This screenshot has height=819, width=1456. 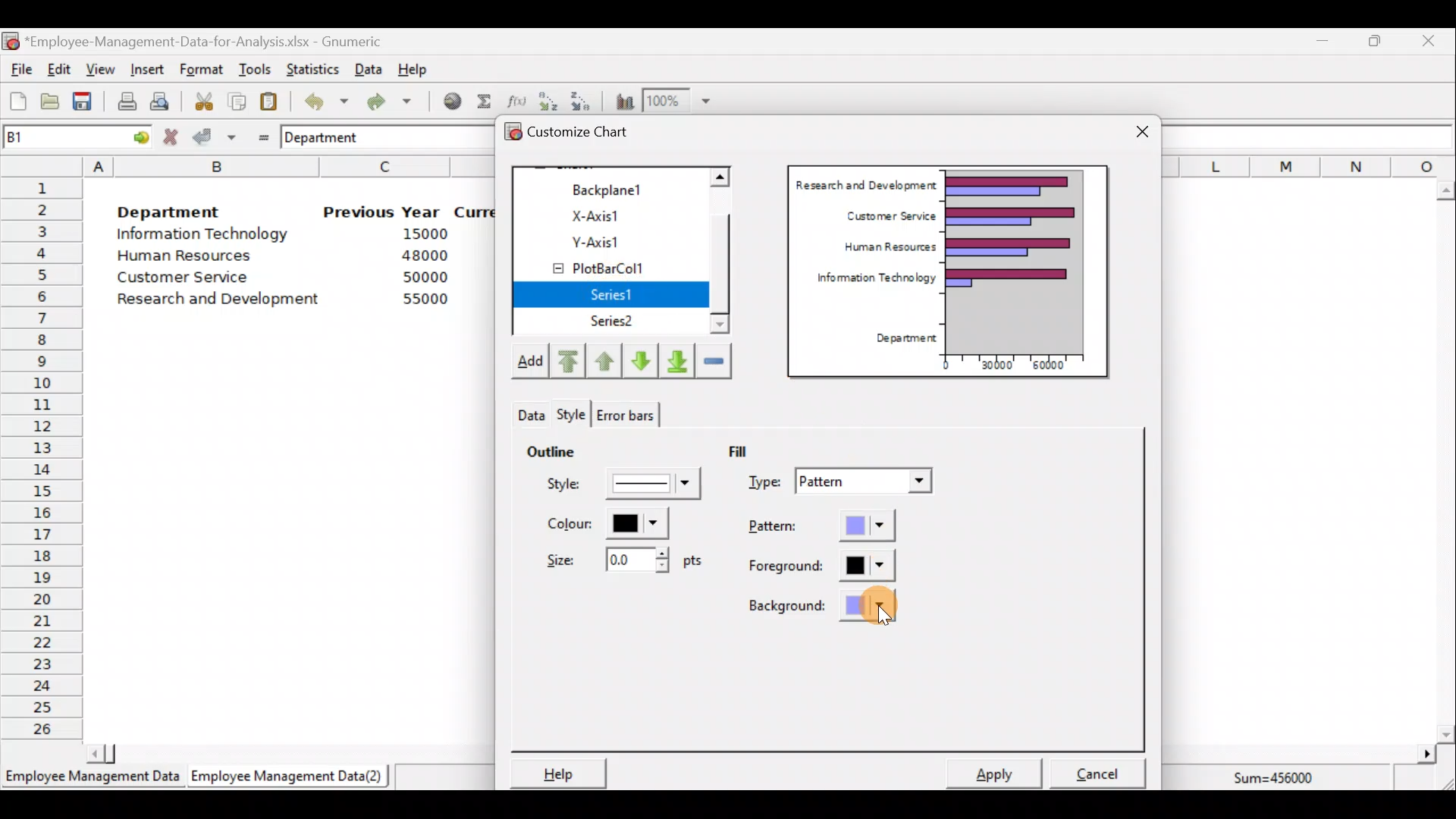 What do you see at coordinates (54, 103) in the screenshot?
I see `Open a file` at bounding box center [54, 103].